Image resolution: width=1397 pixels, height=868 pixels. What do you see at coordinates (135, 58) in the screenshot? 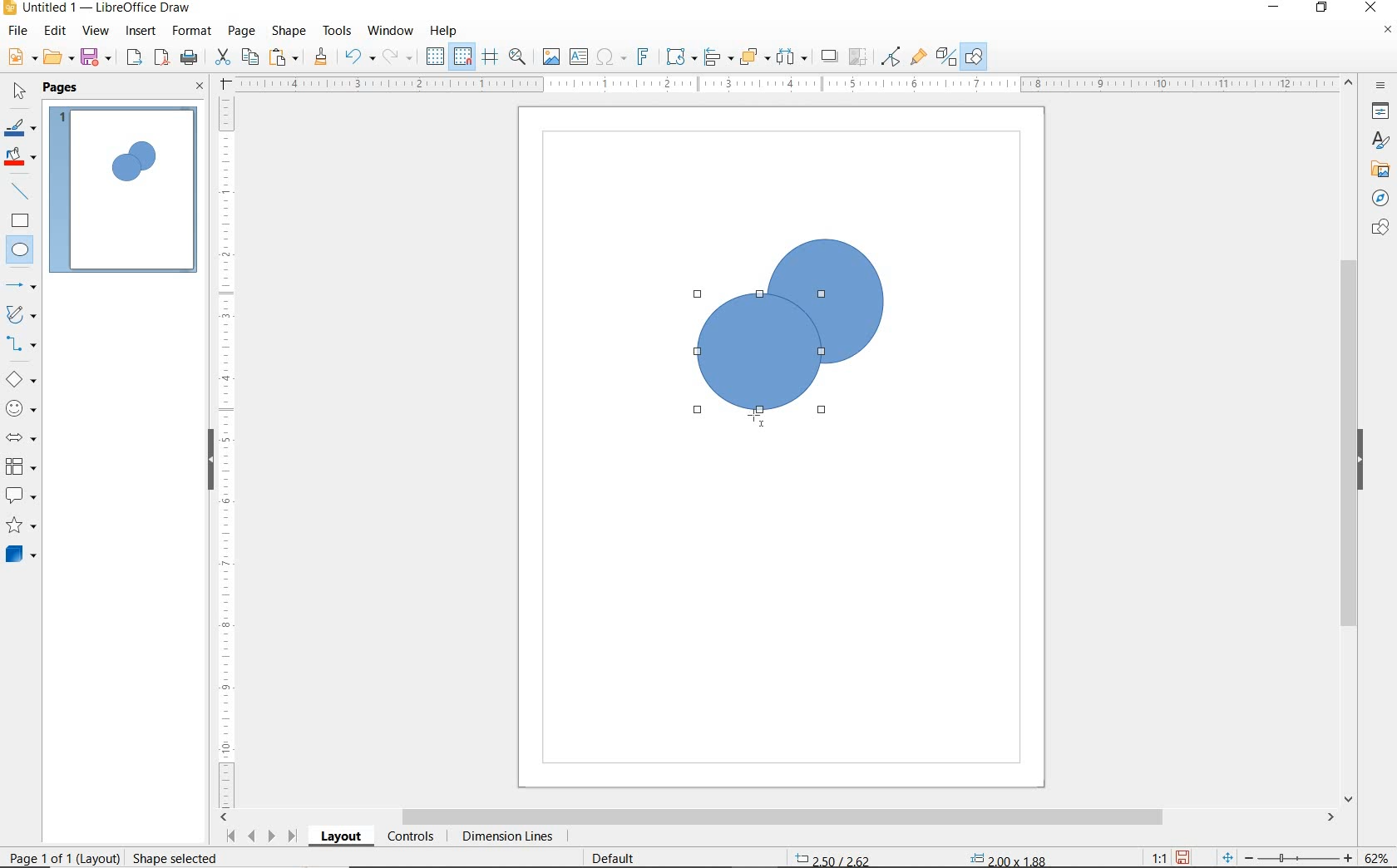
I see `EXPORT` at bounding box center [135, 58].